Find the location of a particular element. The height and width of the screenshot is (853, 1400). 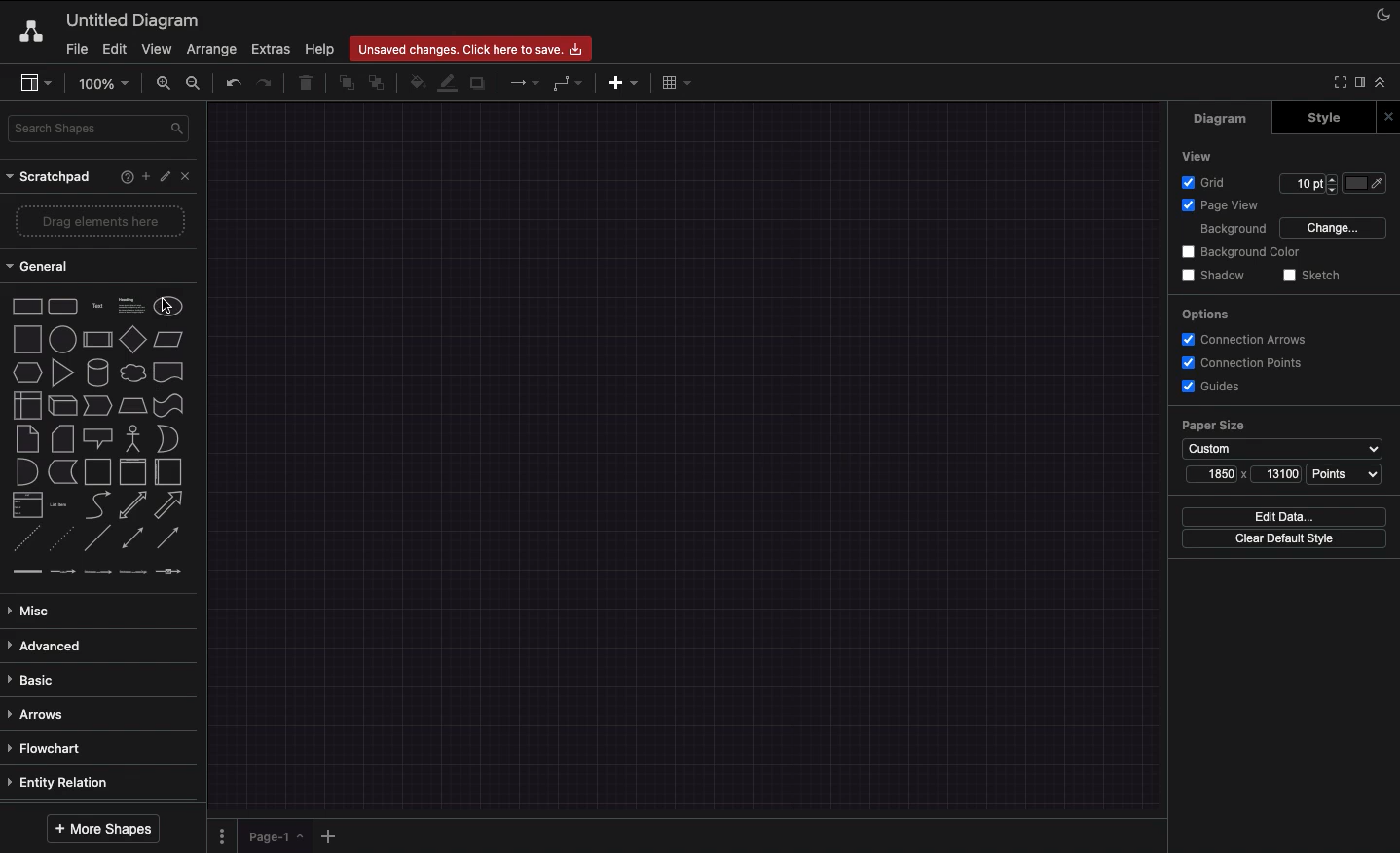

Square is located at coordinates (25, 339).